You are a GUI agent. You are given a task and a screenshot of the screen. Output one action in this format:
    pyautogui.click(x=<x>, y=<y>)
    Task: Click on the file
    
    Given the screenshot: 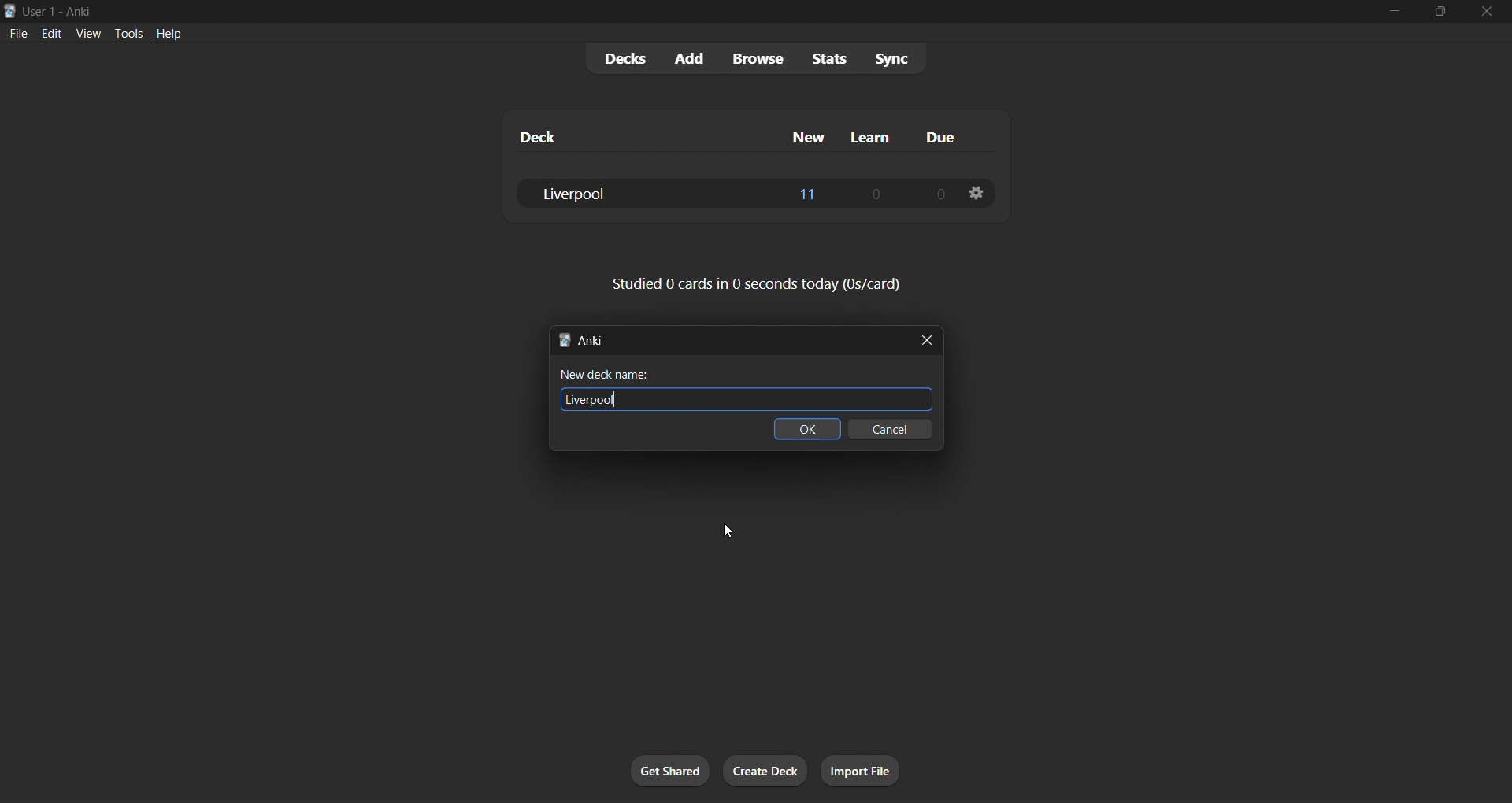 What is the action you would take?
    pyautogui.click(x=17, y=33)
    